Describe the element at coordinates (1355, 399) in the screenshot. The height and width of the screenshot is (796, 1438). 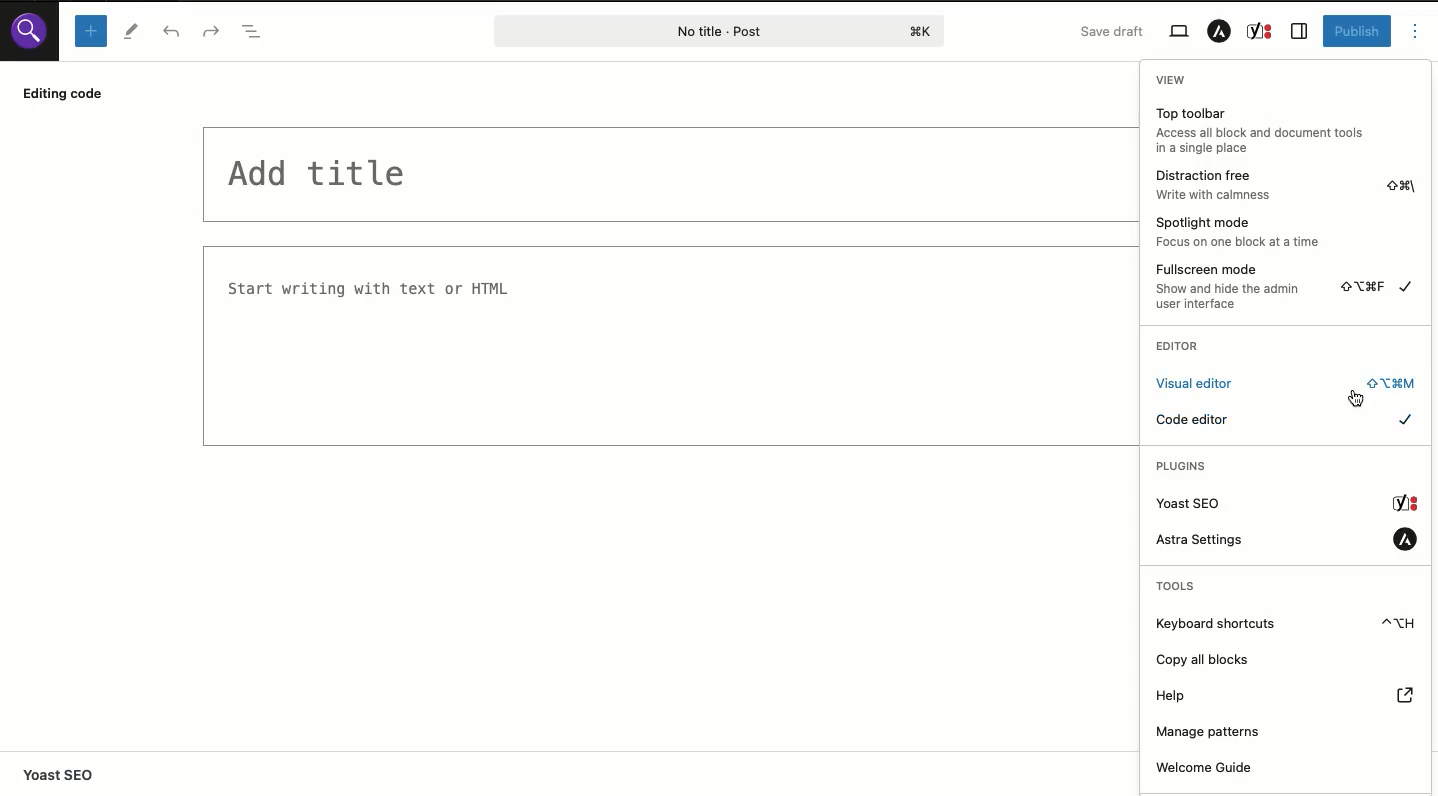
I see `cursor` at that location.